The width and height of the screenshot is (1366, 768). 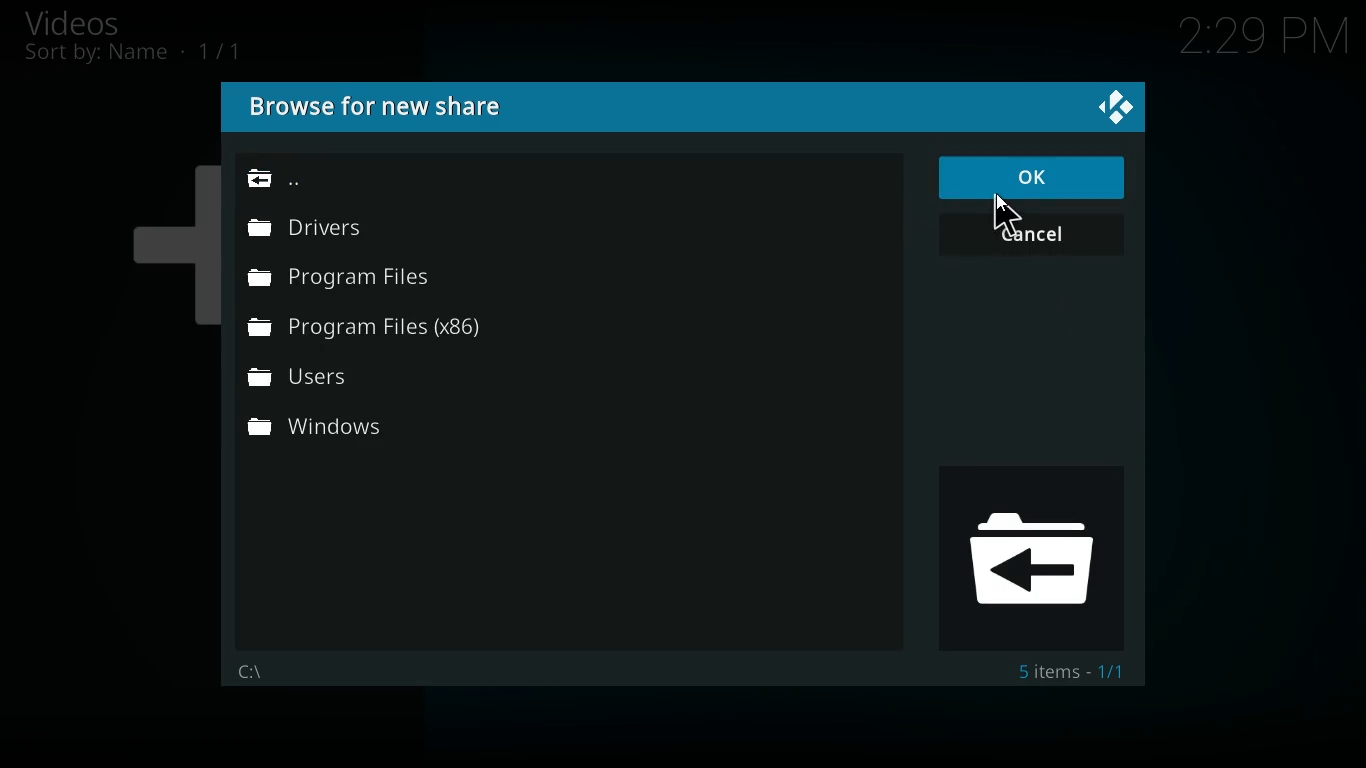 What do you see at coordinates (1008, 211) in the screenshot?
I see `Cursor` at bounding box center [1008, 211].